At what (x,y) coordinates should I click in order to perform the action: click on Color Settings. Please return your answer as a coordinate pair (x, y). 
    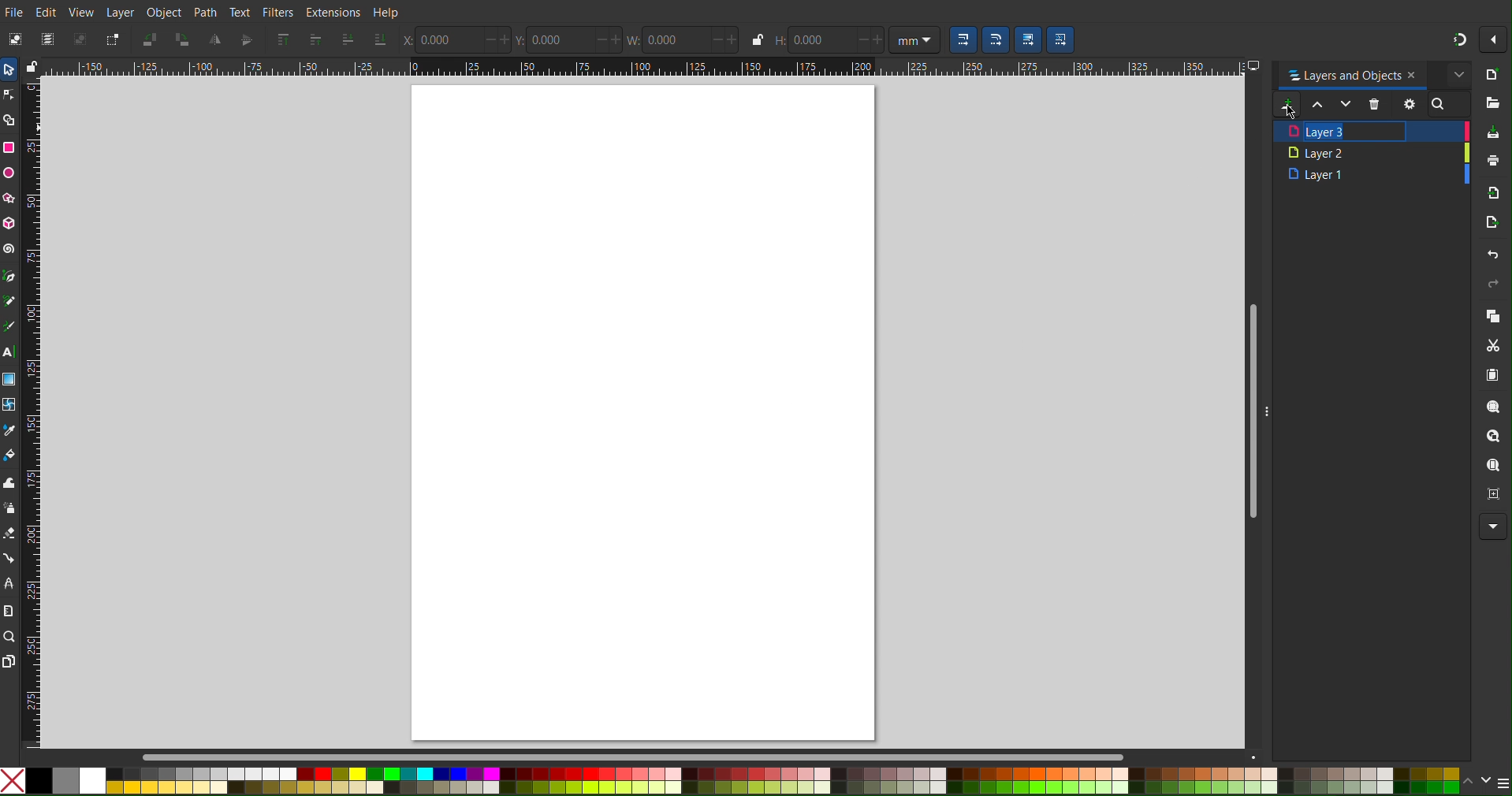
    Looking at the image, I should click on (756, 779).